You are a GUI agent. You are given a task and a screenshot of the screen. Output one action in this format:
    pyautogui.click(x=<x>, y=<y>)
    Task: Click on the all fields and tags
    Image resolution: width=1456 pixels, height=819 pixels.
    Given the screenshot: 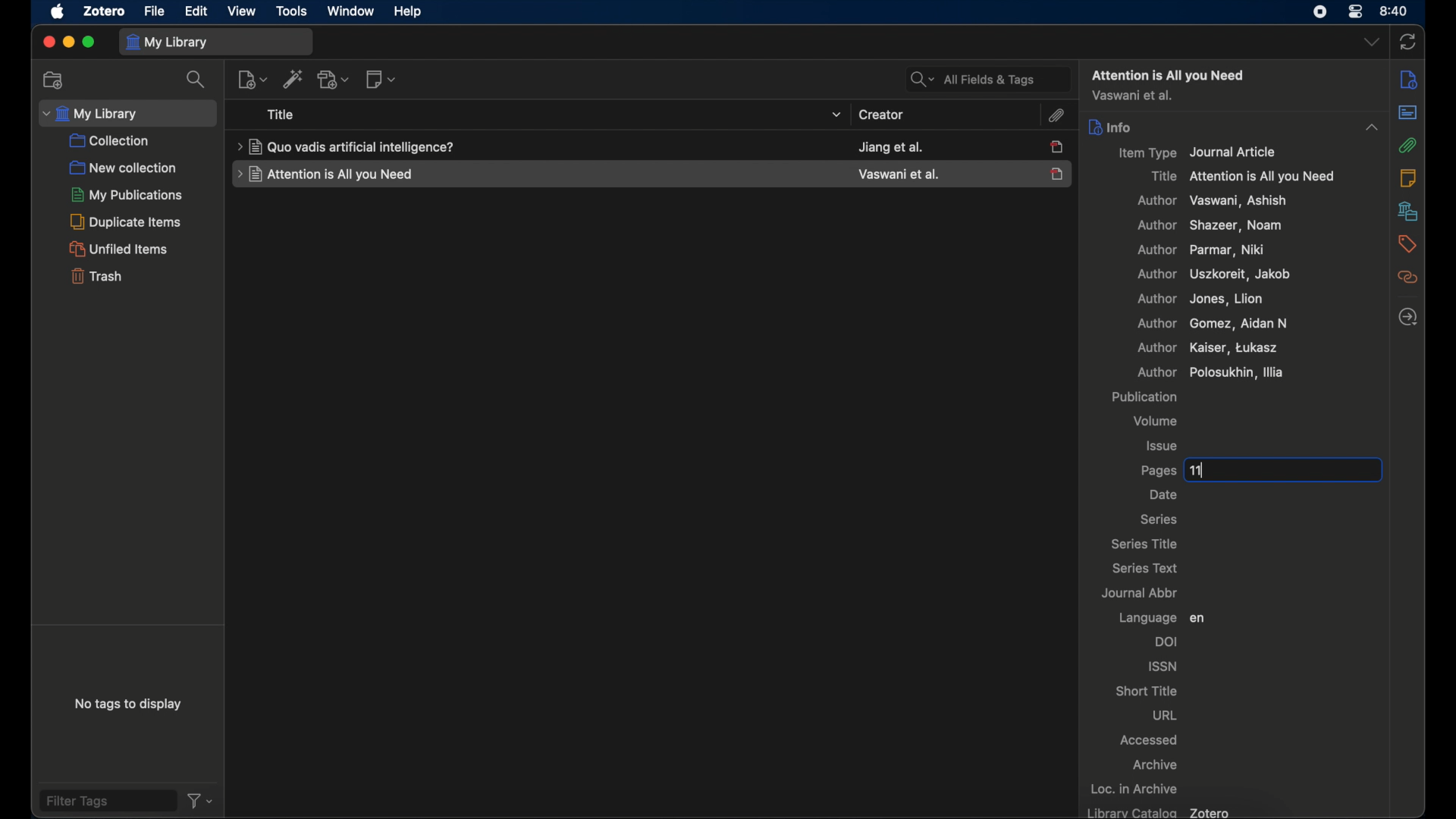 What is the action you would take?
    pyautogui.click(x=982, y=77)
    